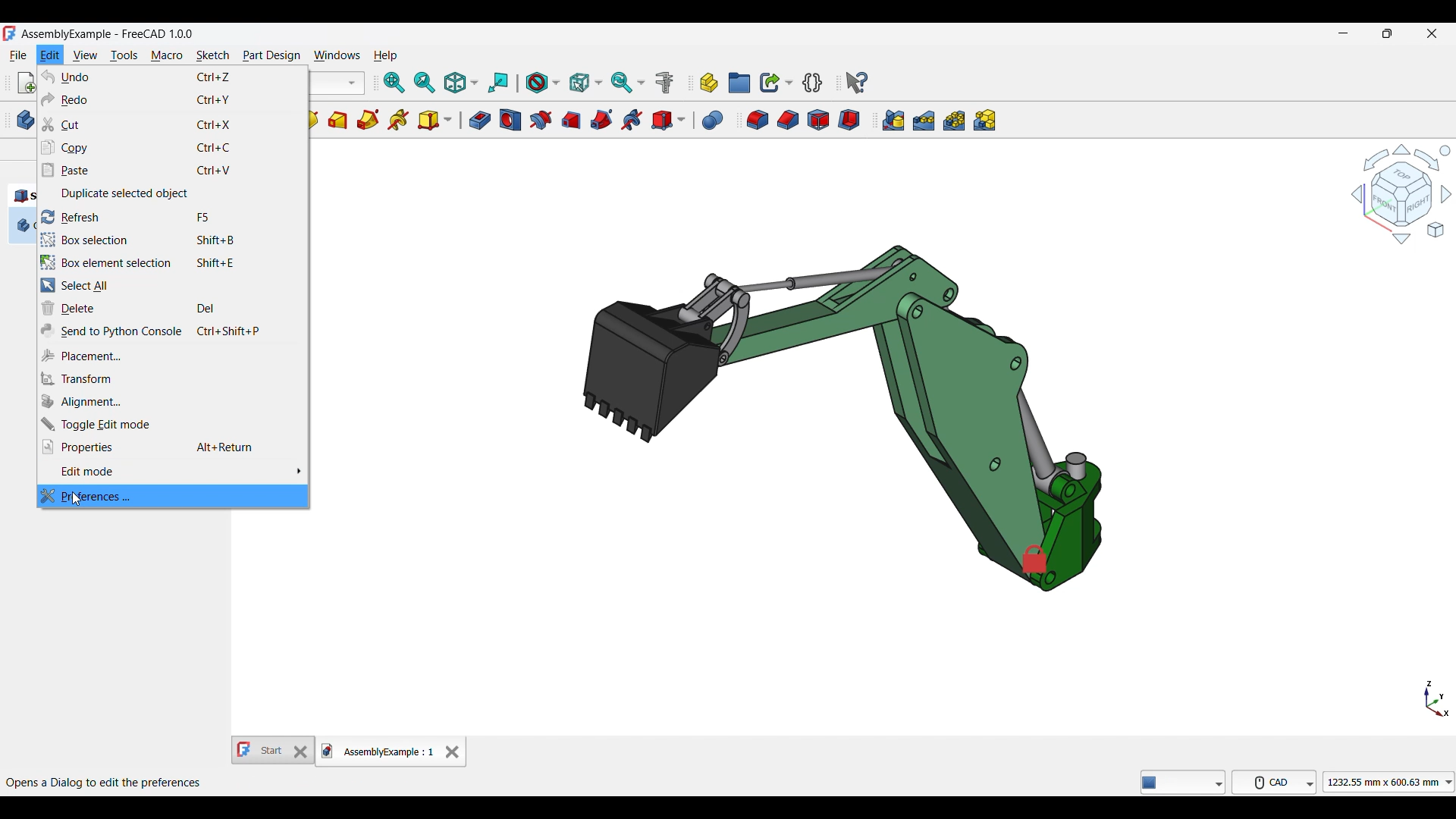 This screenshot has width=1456, height=819. I want to click on Properties, so click(173, 447).